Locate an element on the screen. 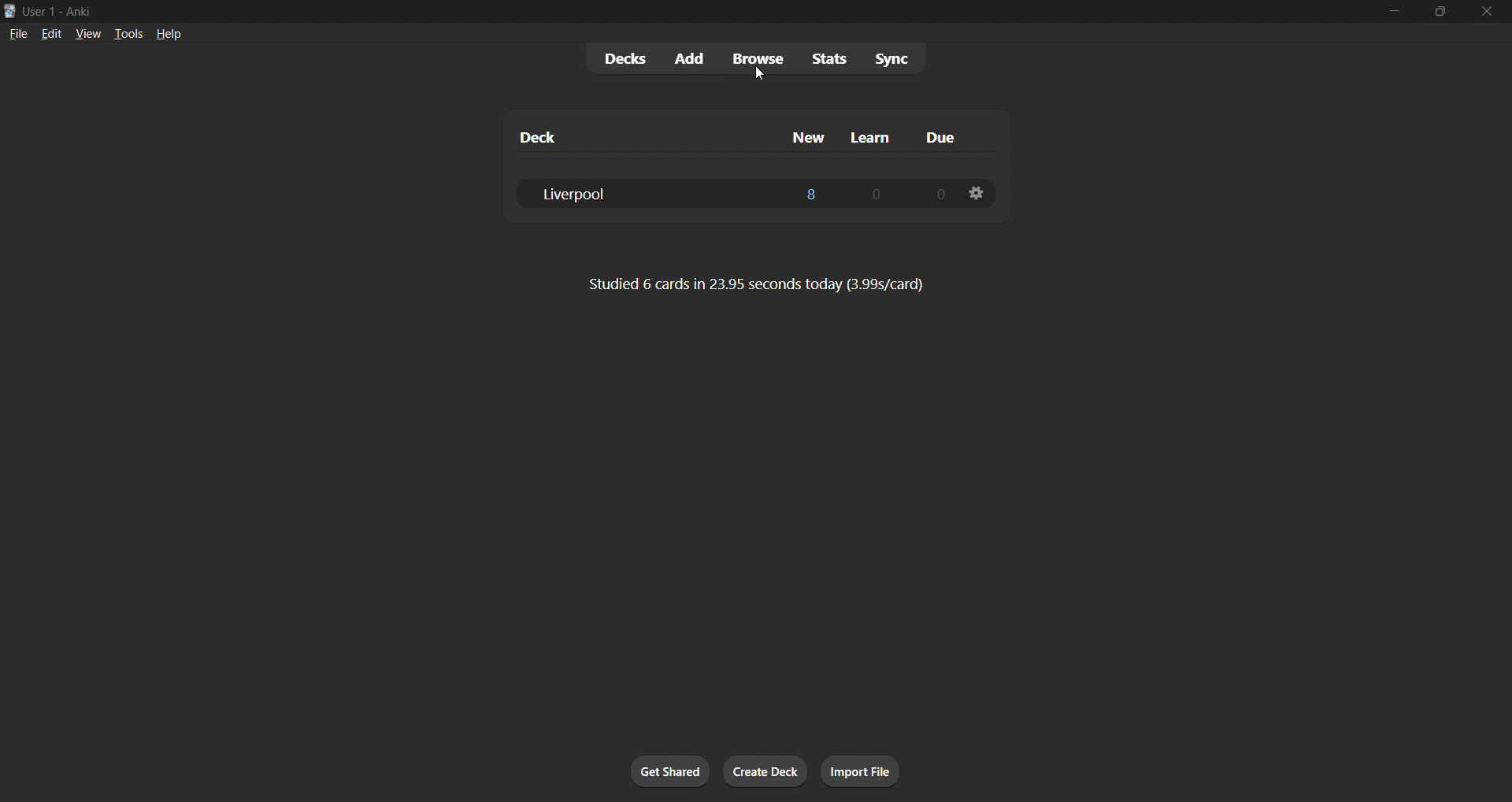 Image resolution: width=1512 pixels, height=802 pixels. stats is located at coordinates (830, 58).